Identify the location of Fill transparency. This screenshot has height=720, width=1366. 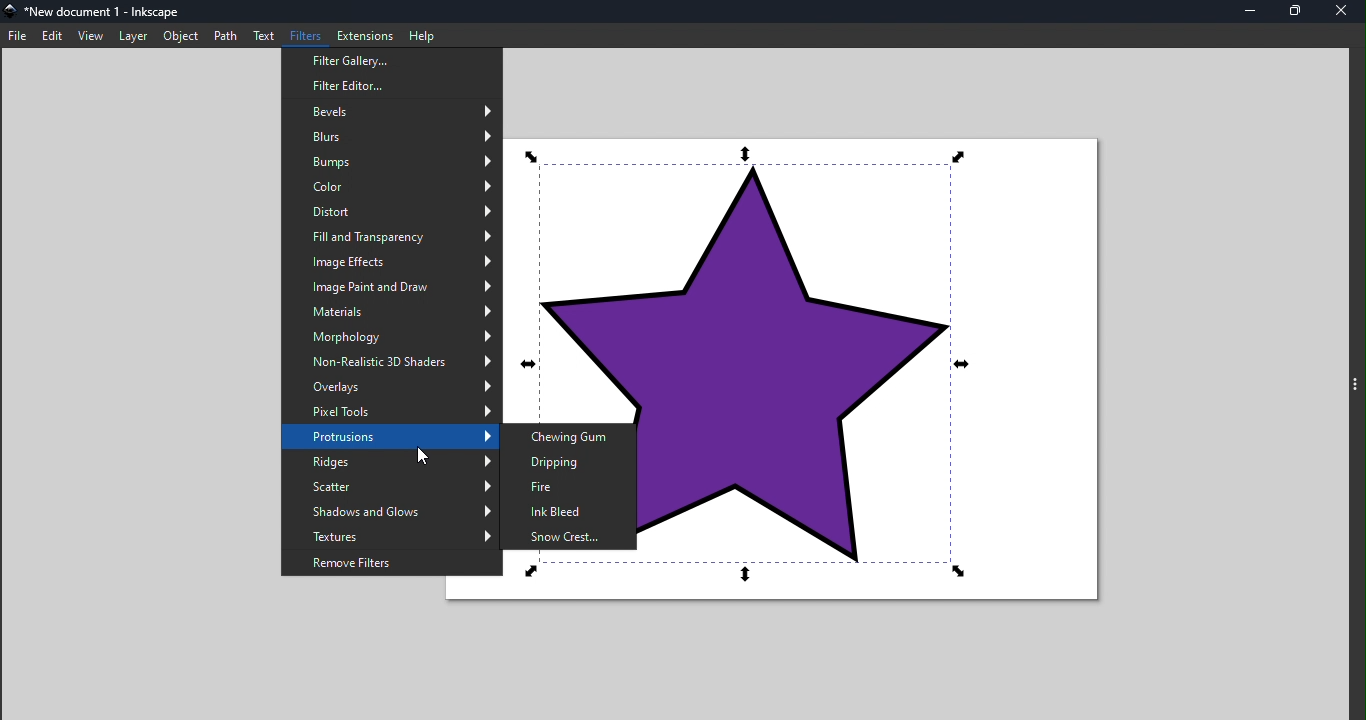
(393, 238).